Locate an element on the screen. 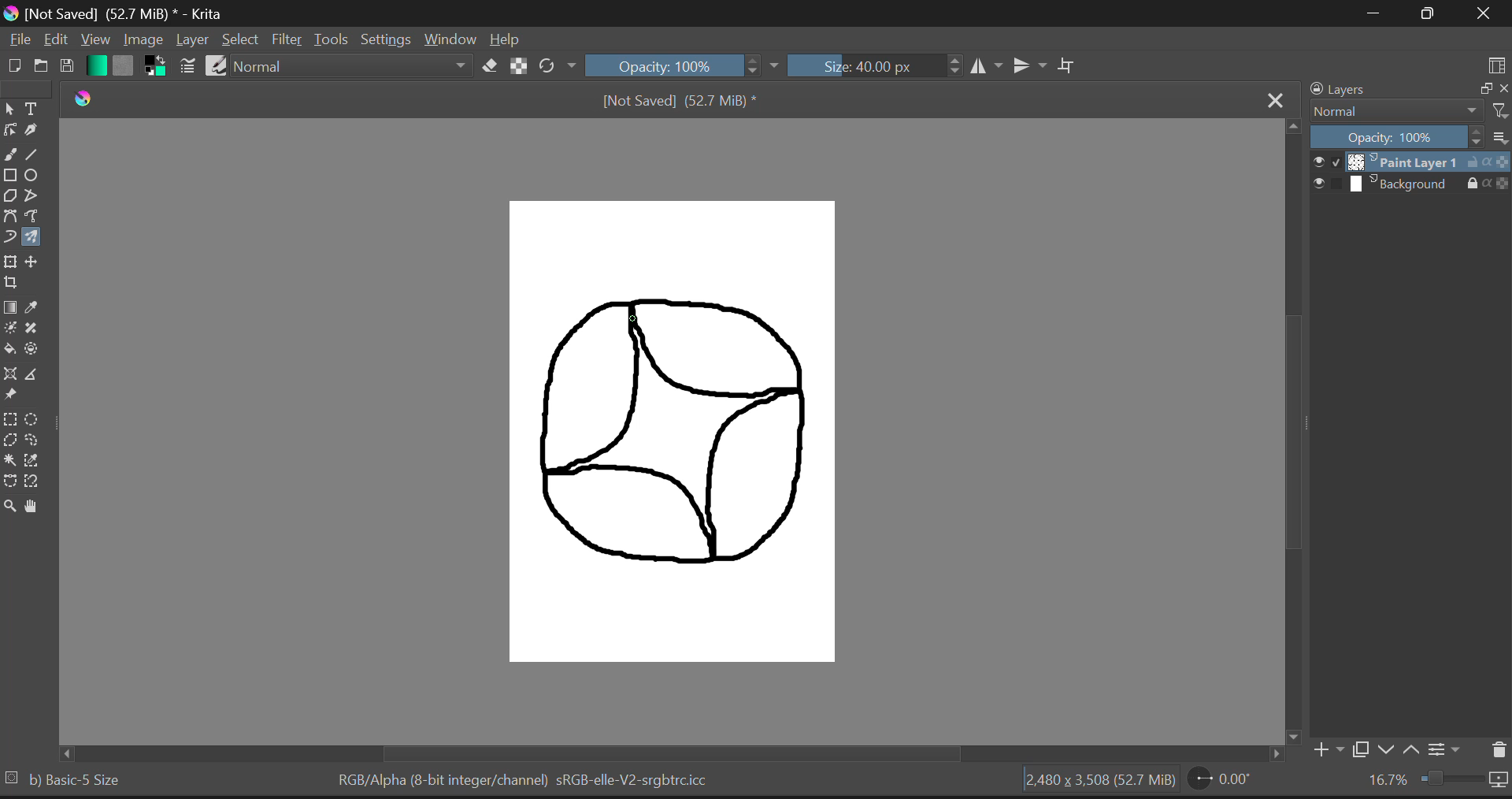  Magnetic Curve Selection is located at coordinates (32, 481).